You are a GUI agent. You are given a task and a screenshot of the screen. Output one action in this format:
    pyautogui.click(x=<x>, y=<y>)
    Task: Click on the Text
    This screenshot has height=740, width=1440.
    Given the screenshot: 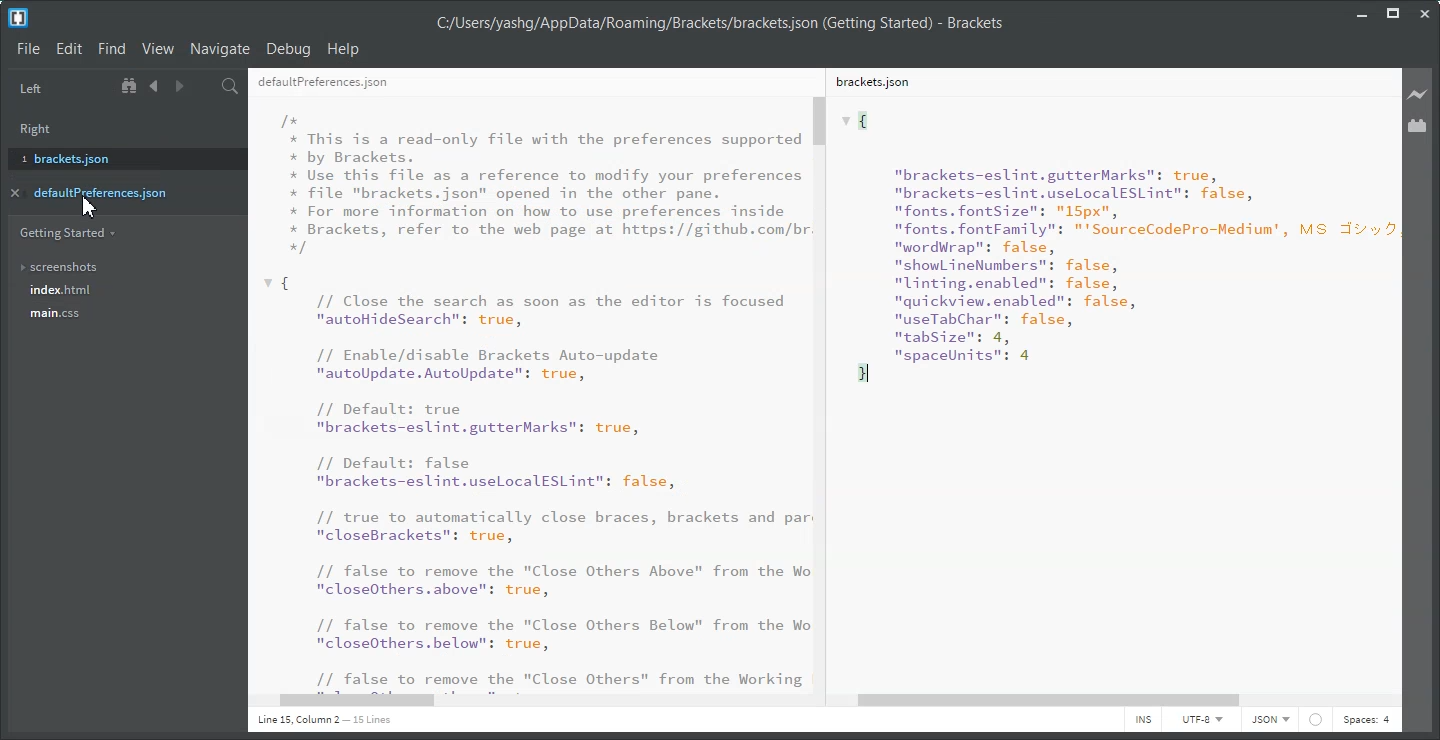 What is the action you would take?
    pyautogui.click(x=1106, y=392)
    